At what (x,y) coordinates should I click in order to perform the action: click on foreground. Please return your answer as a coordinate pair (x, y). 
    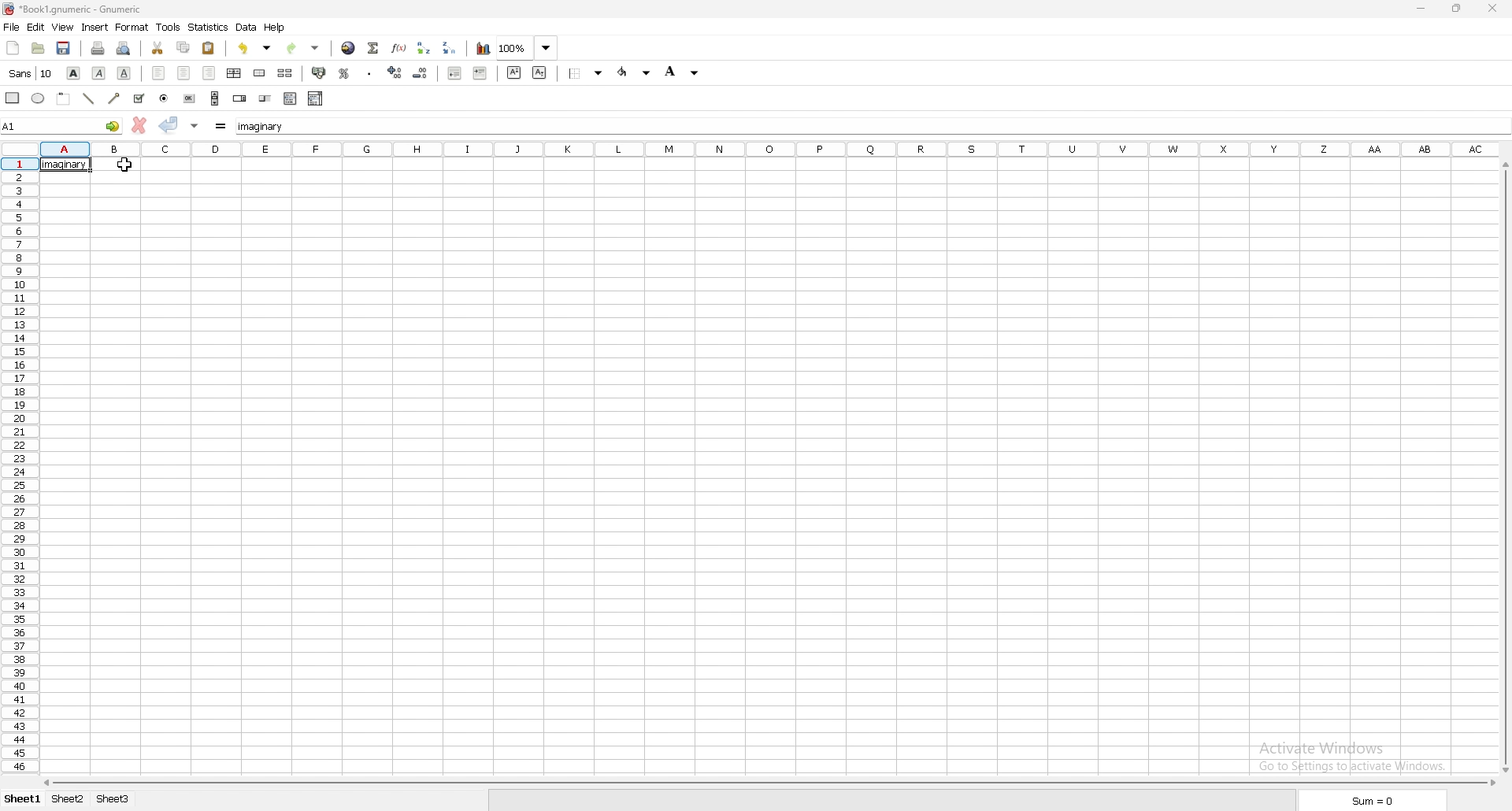
    Looking at the image, I should click on (633, 72).